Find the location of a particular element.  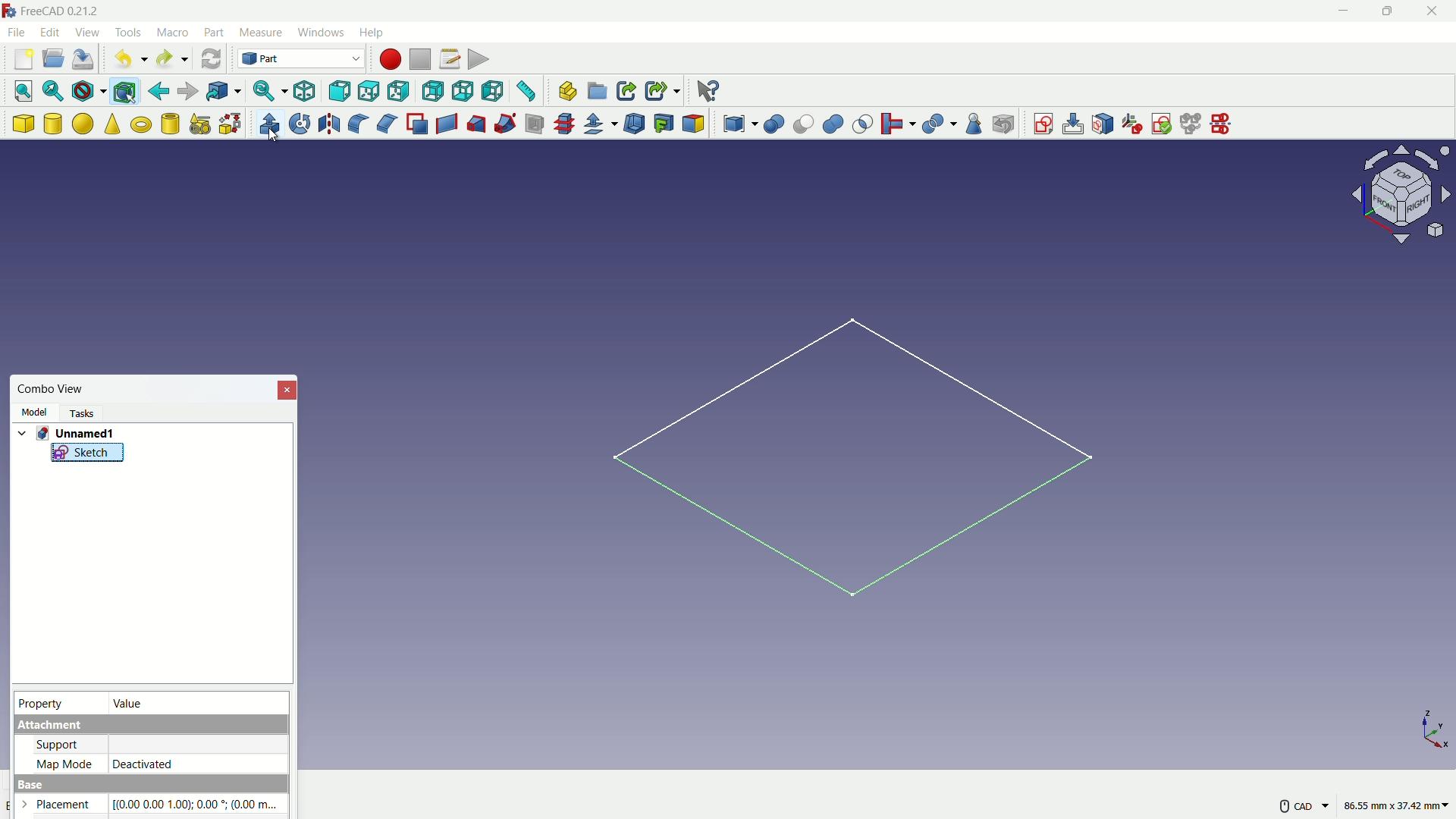

create link is located at coordinates (627, 91).